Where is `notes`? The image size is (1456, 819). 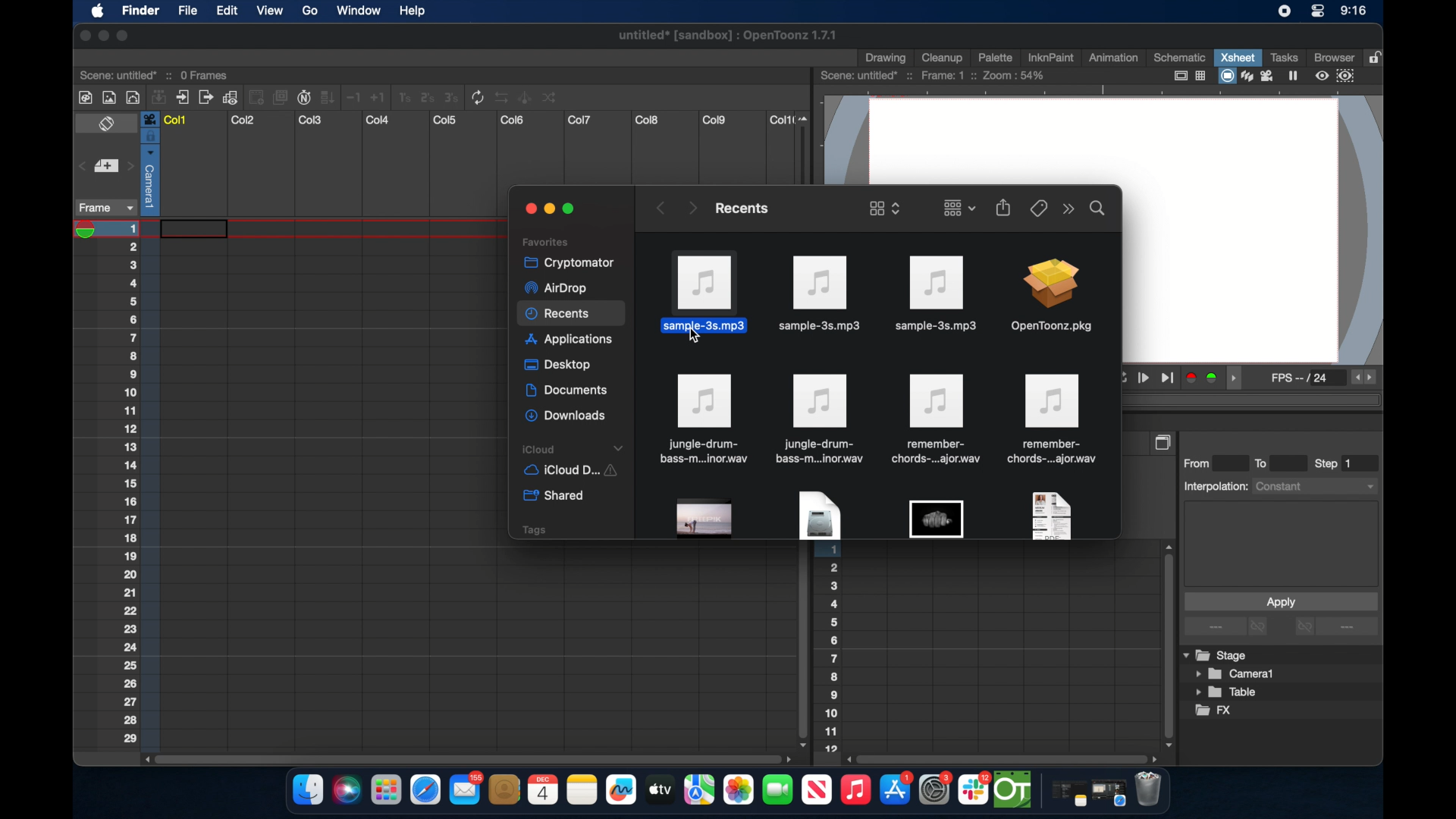
notes is located at coordinates (582, 790).